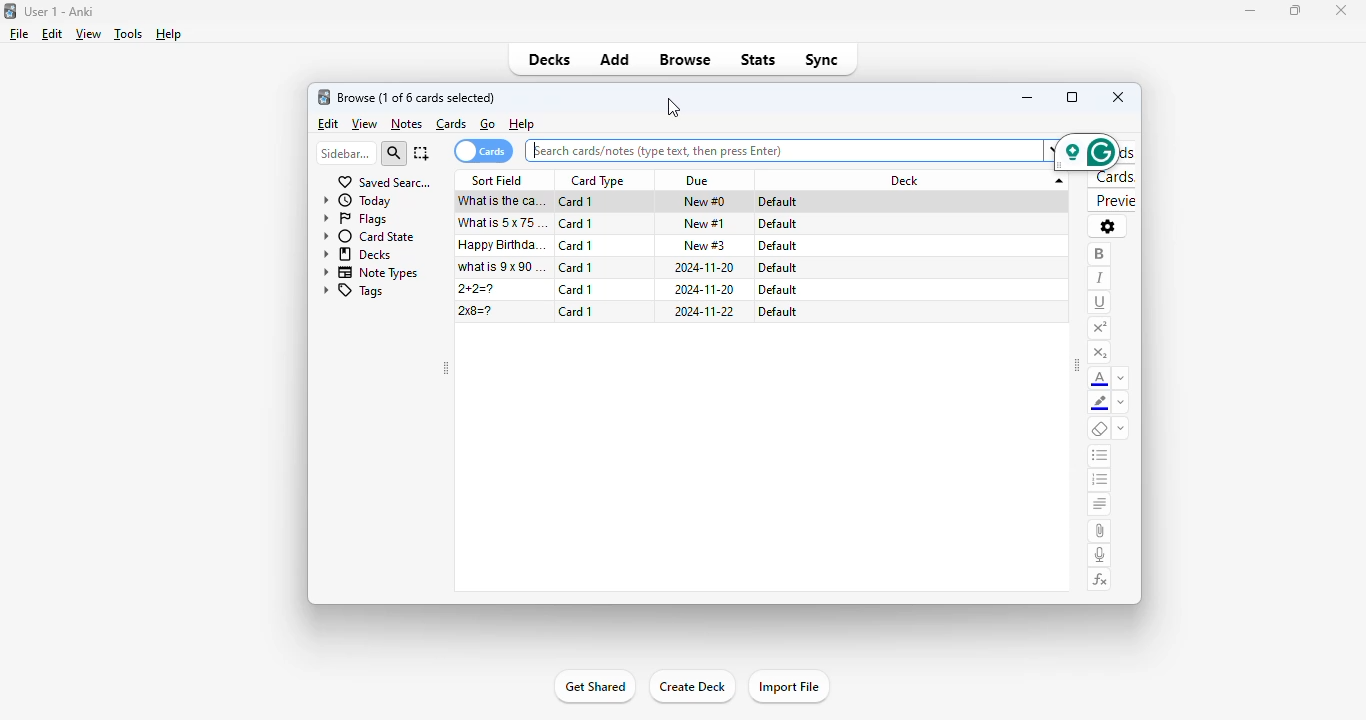  What do you see at coordinates (1100, 352) in the screenshot?
I see `subscript` at bounding box center [1100, 352].